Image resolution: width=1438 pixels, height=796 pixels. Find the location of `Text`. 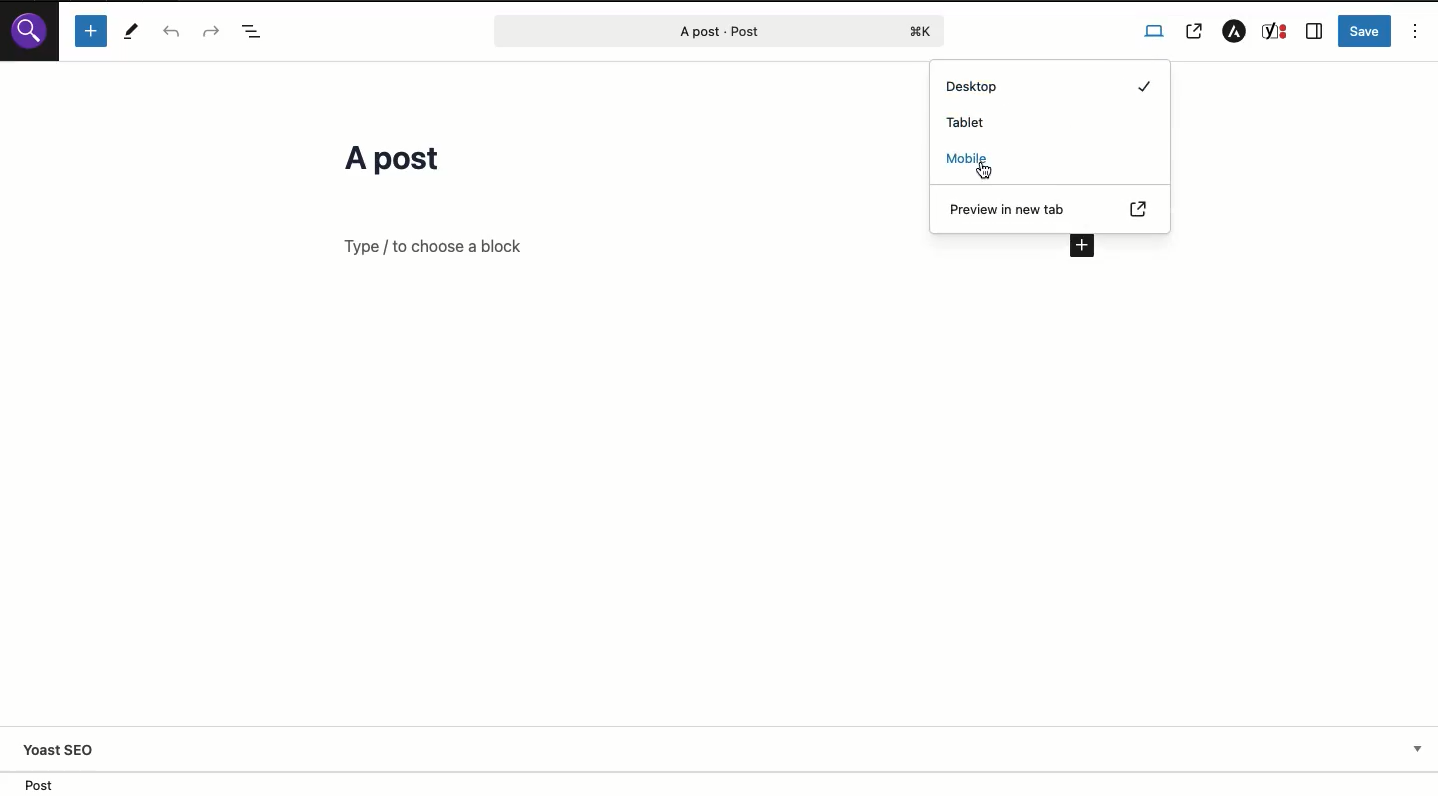

Text is located at coordinates (427, 258).